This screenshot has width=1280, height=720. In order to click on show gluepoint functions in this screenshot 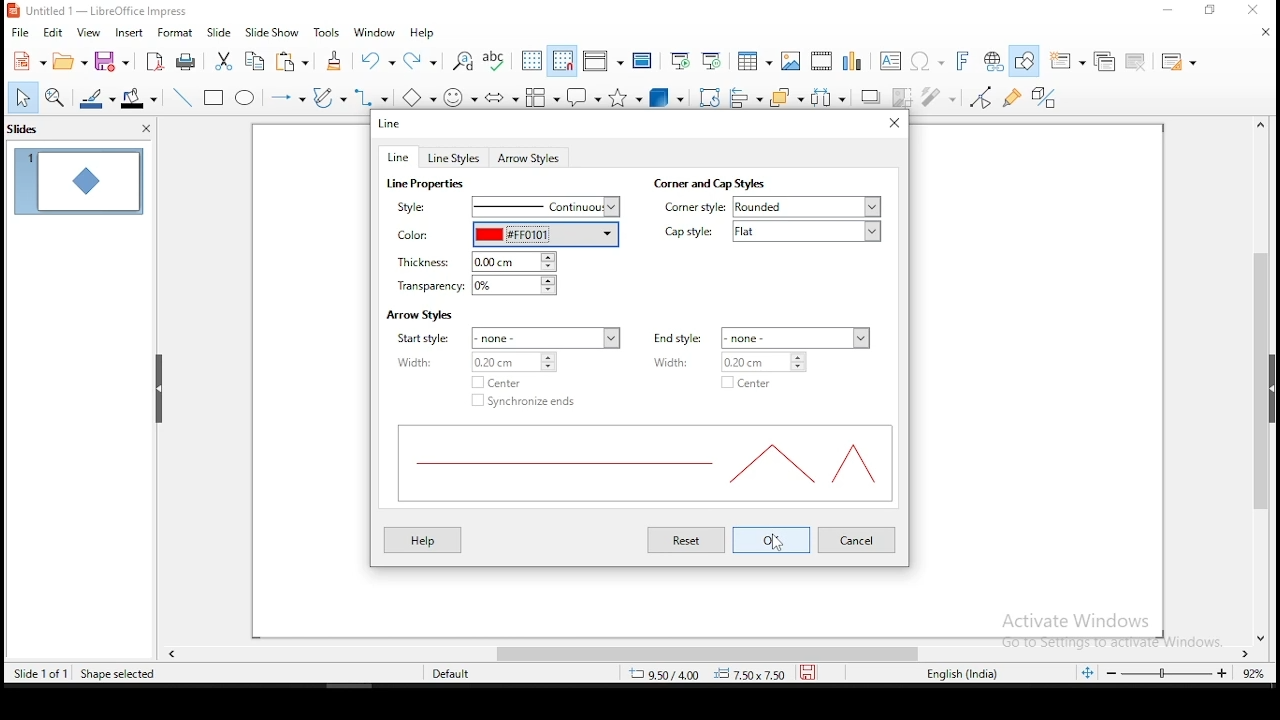, I will do `click(1013, 98)`.